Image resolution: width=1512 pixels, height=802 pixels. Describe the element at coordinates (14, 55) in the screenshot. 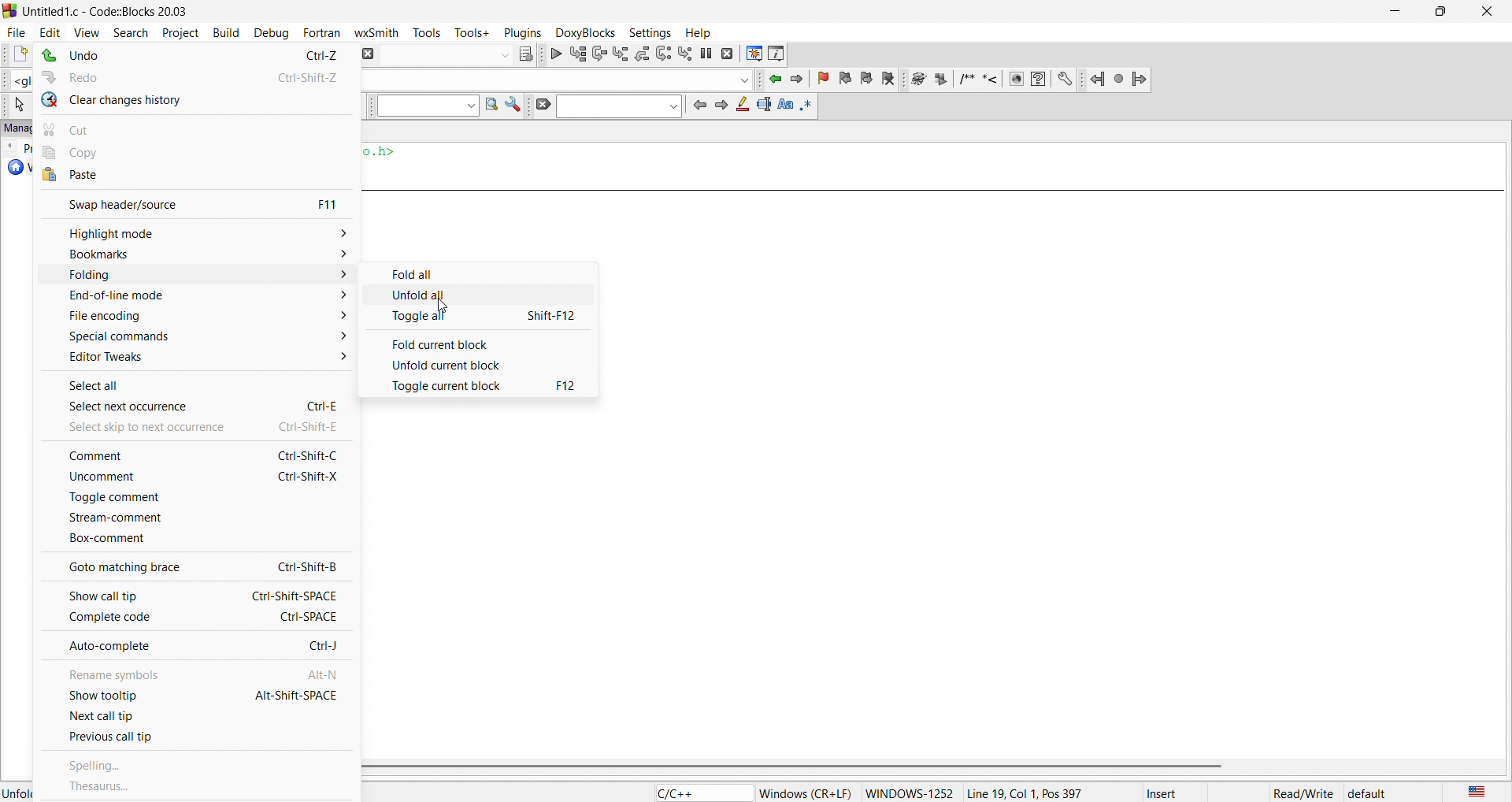

I see `new file` at that location.